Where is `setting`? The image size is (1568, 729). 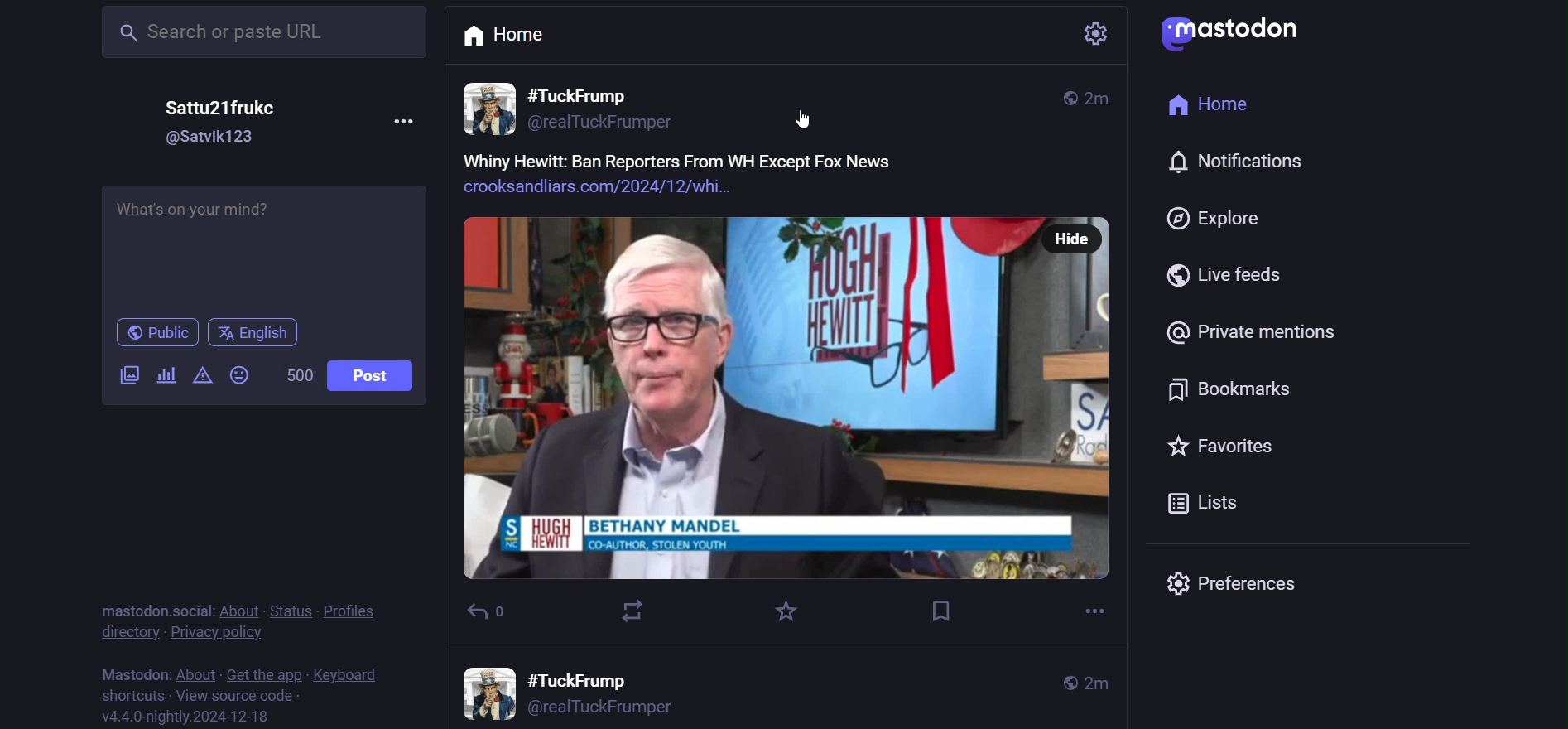 setting is located at coordinates (1095, 33).